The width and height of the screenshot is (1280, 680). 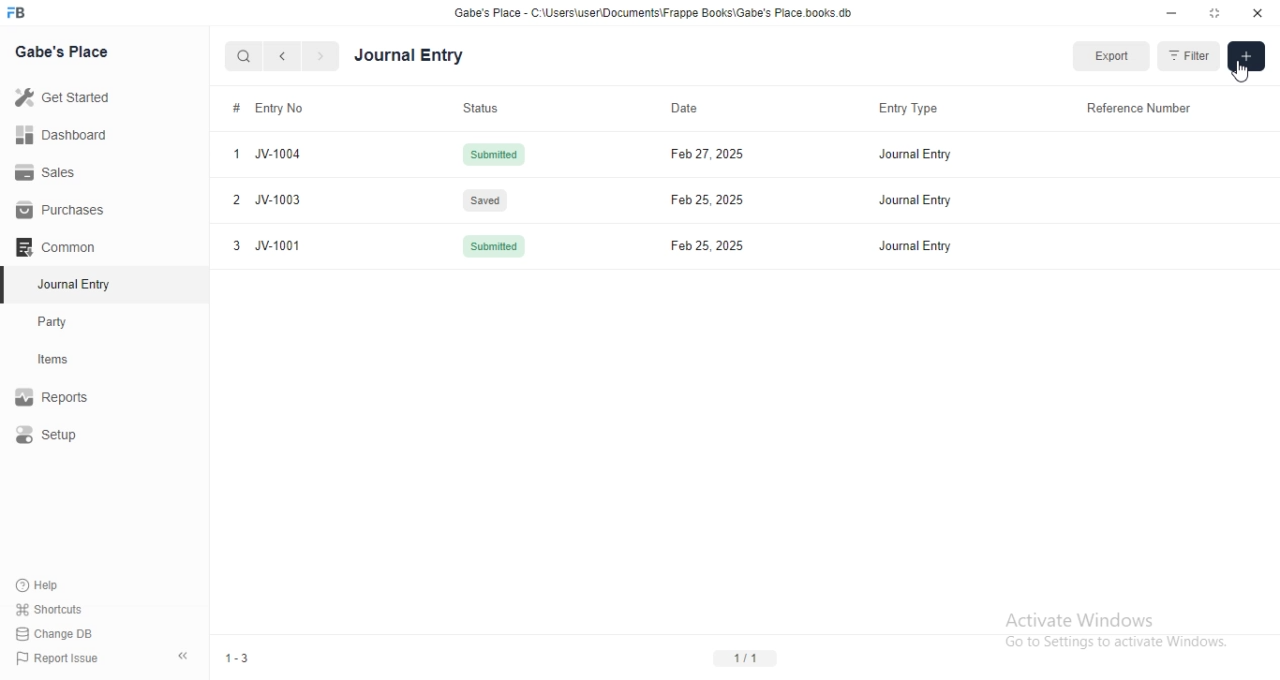 What do you see at coordinates (62, 609) in the screenshot?
I see `‘Shortcuts` at bounding box center [62, 609].